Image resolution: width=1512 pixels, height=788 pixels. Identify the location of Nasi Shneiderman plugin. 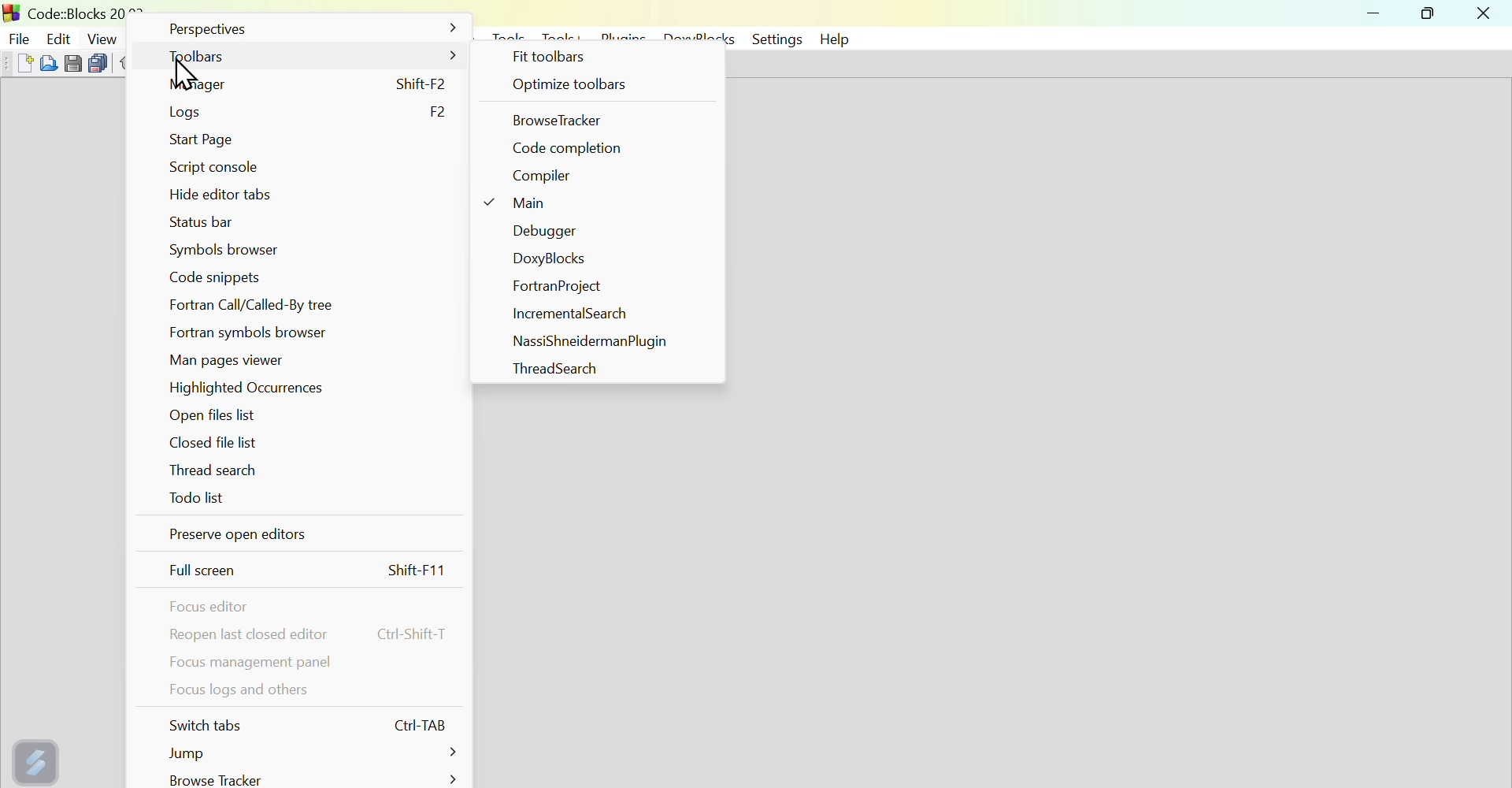
(587, 340).